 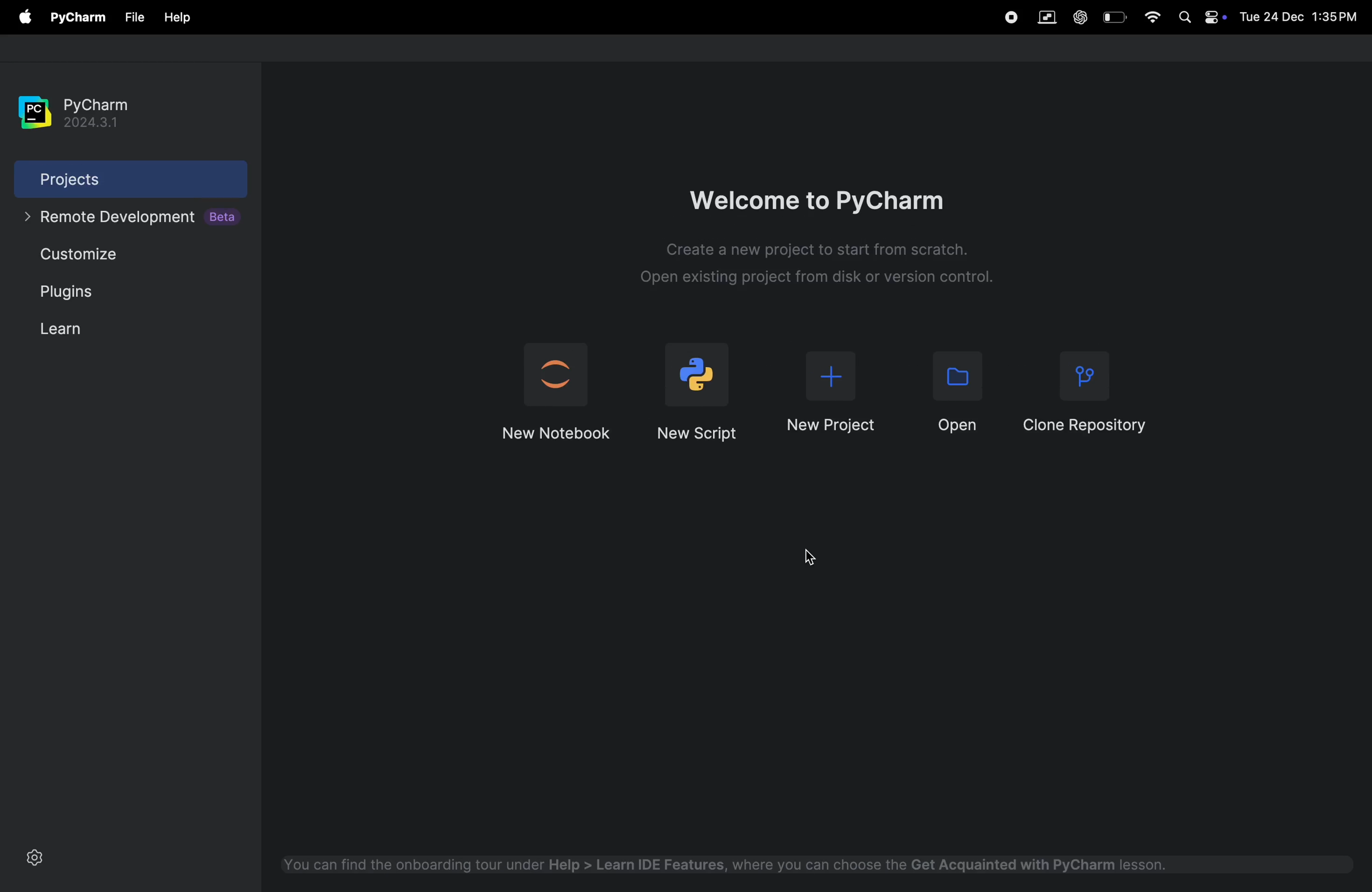 What do you see at coordinates (1078, 18) in the screenshot?
I see `chatgpt` at bounding box center [1078, 18].